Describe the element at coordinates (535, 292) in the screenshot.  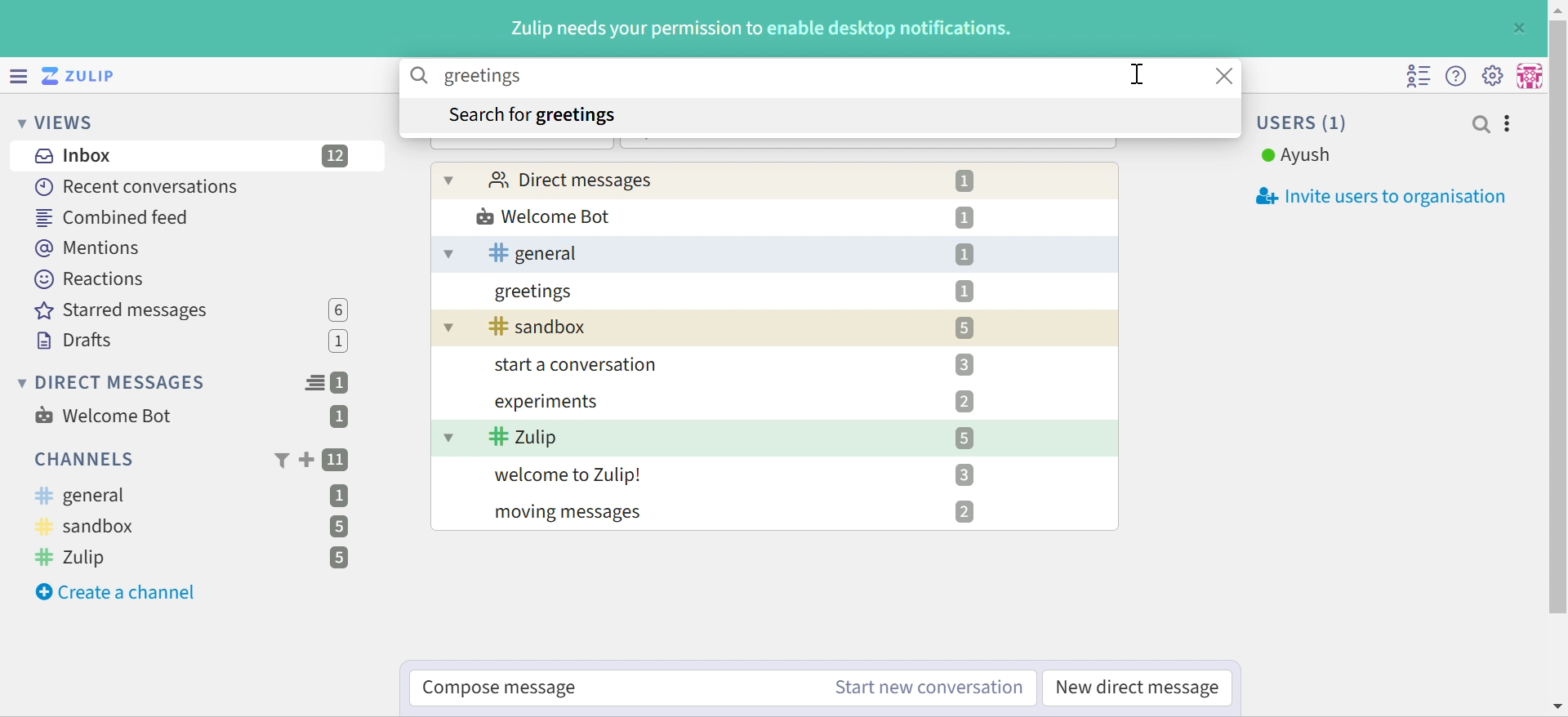
I see `greetings` at that location.